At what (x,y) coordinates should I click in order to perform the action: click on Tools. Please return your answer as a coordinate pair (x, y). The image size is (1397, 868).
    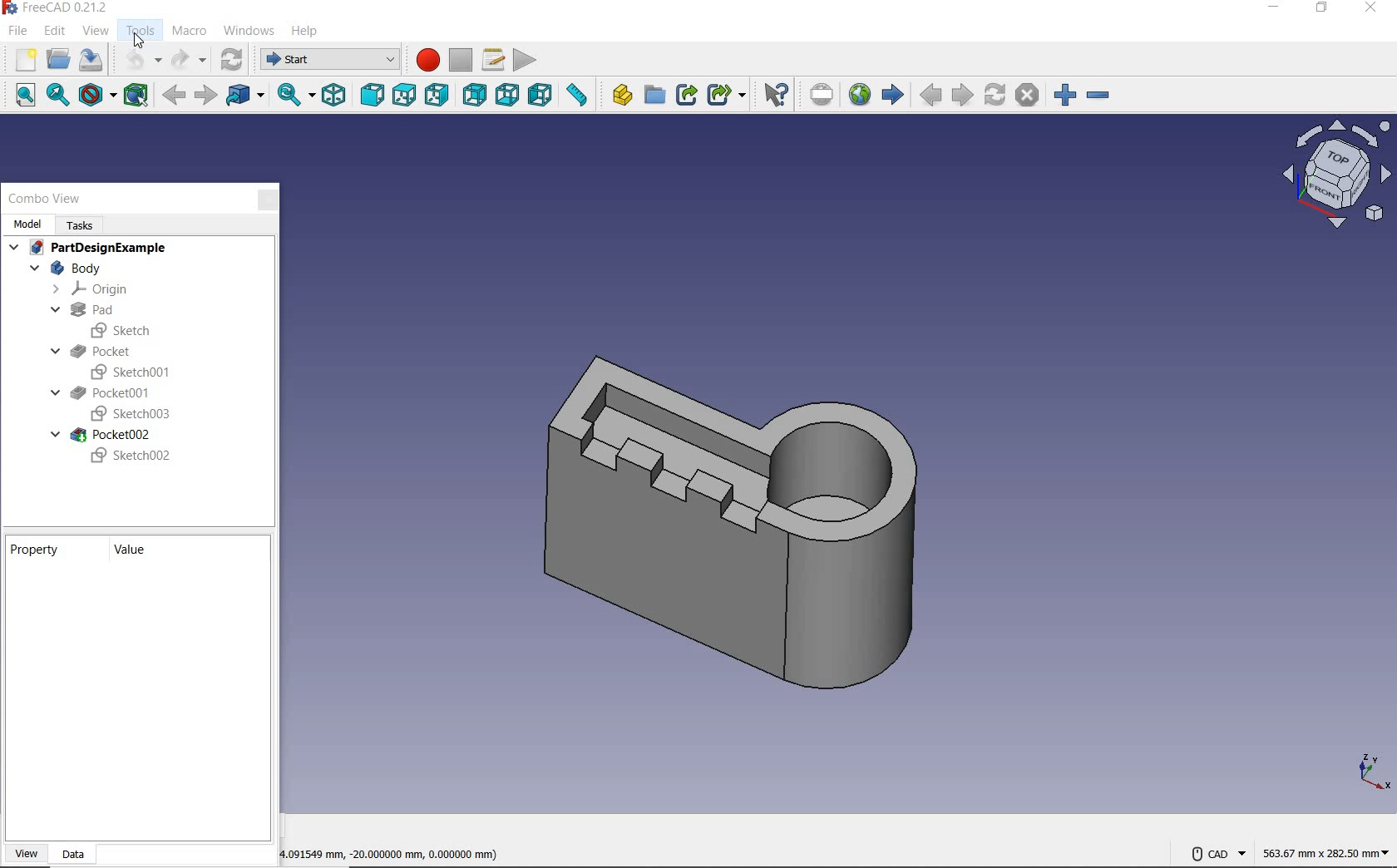
    Looking at the image, I should click on (143, 32).